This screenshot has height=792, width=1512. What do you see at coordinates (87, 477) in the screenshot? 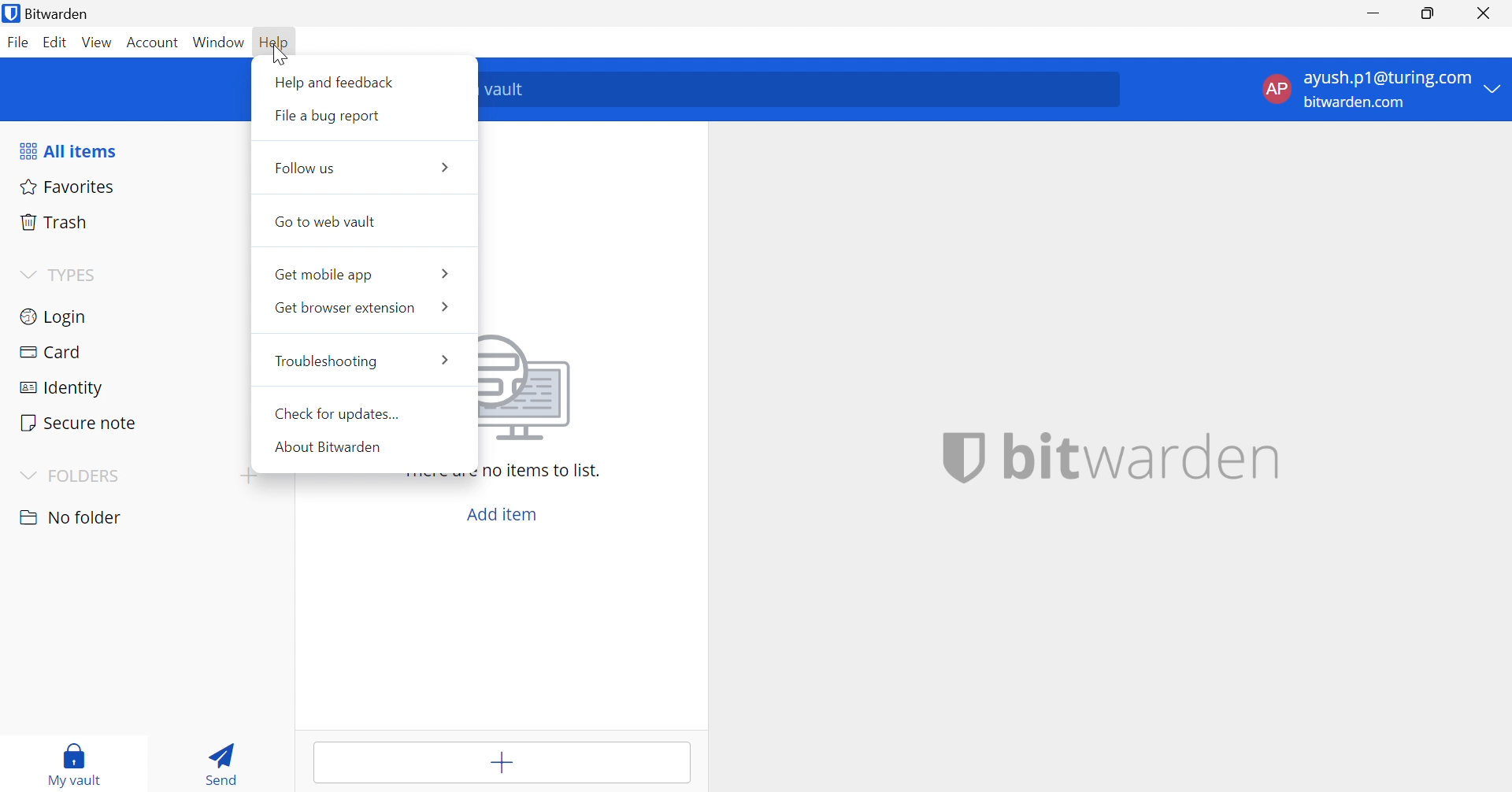
I see `FOLDERS` at bounding box center [87, 477].